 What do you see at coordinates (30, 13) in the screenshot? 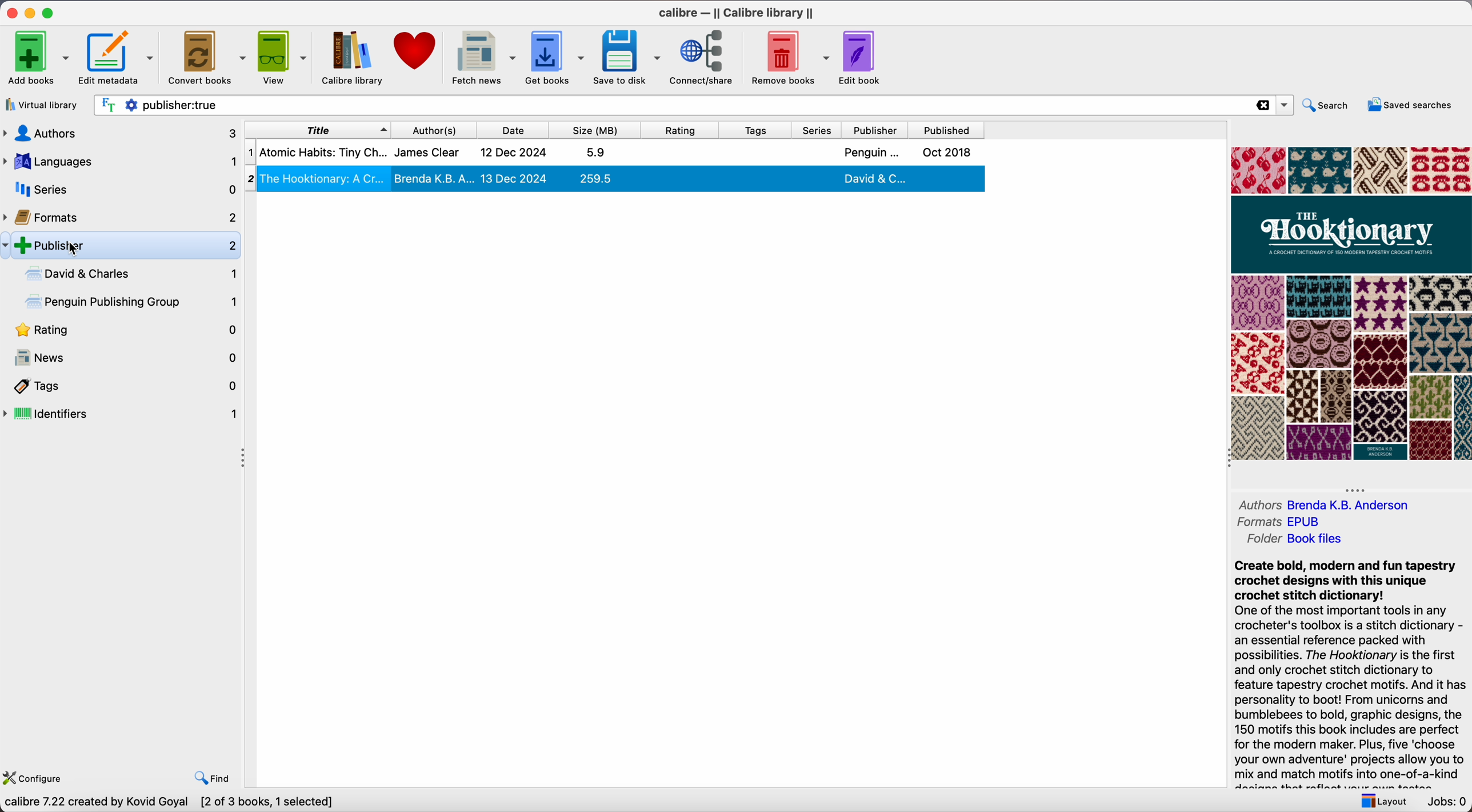
I see `minimize` at bounding box center [30, 13].